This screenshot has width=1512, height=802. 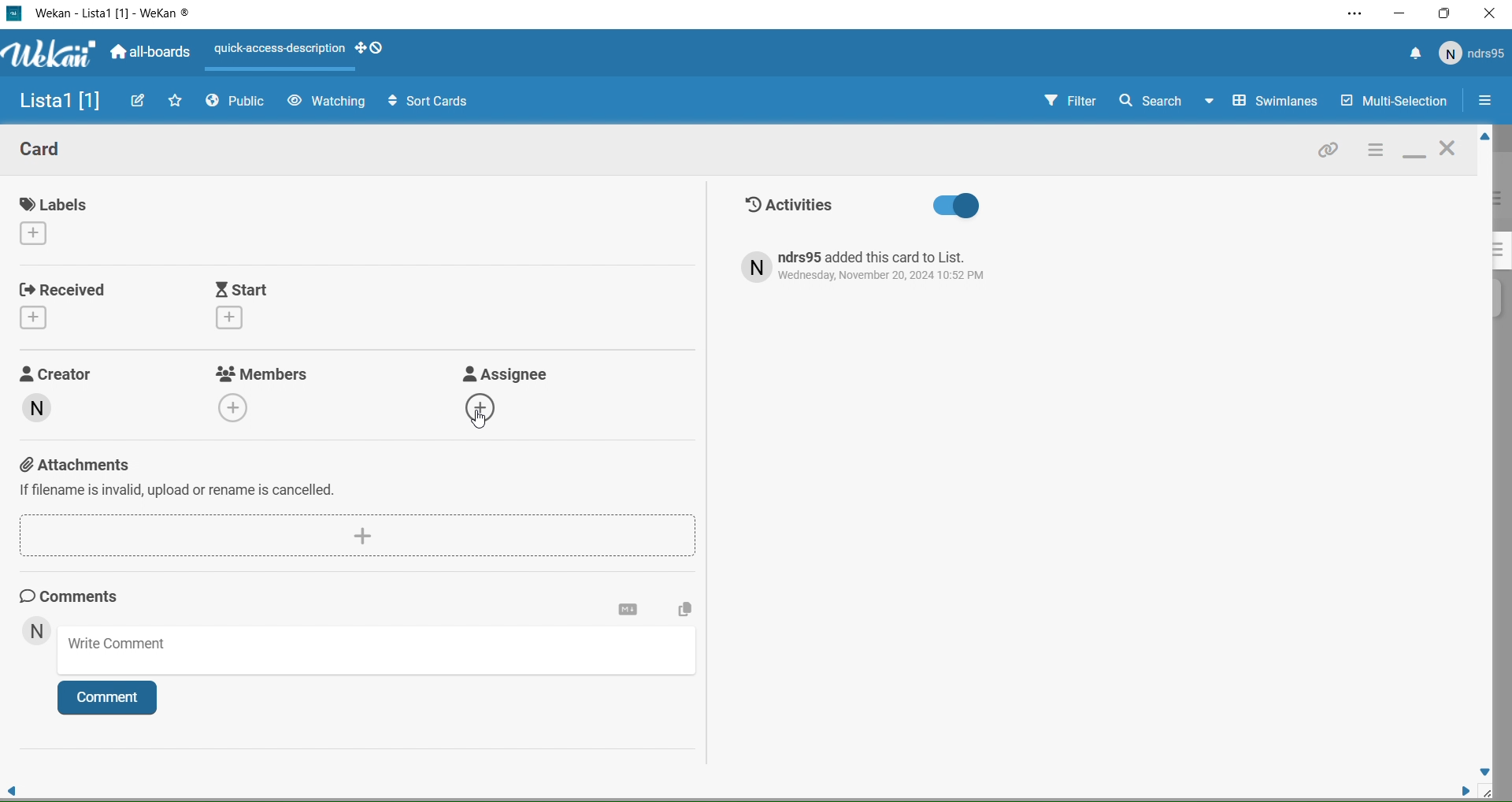 I want to click on minimise, so click(x=1414, y=153).